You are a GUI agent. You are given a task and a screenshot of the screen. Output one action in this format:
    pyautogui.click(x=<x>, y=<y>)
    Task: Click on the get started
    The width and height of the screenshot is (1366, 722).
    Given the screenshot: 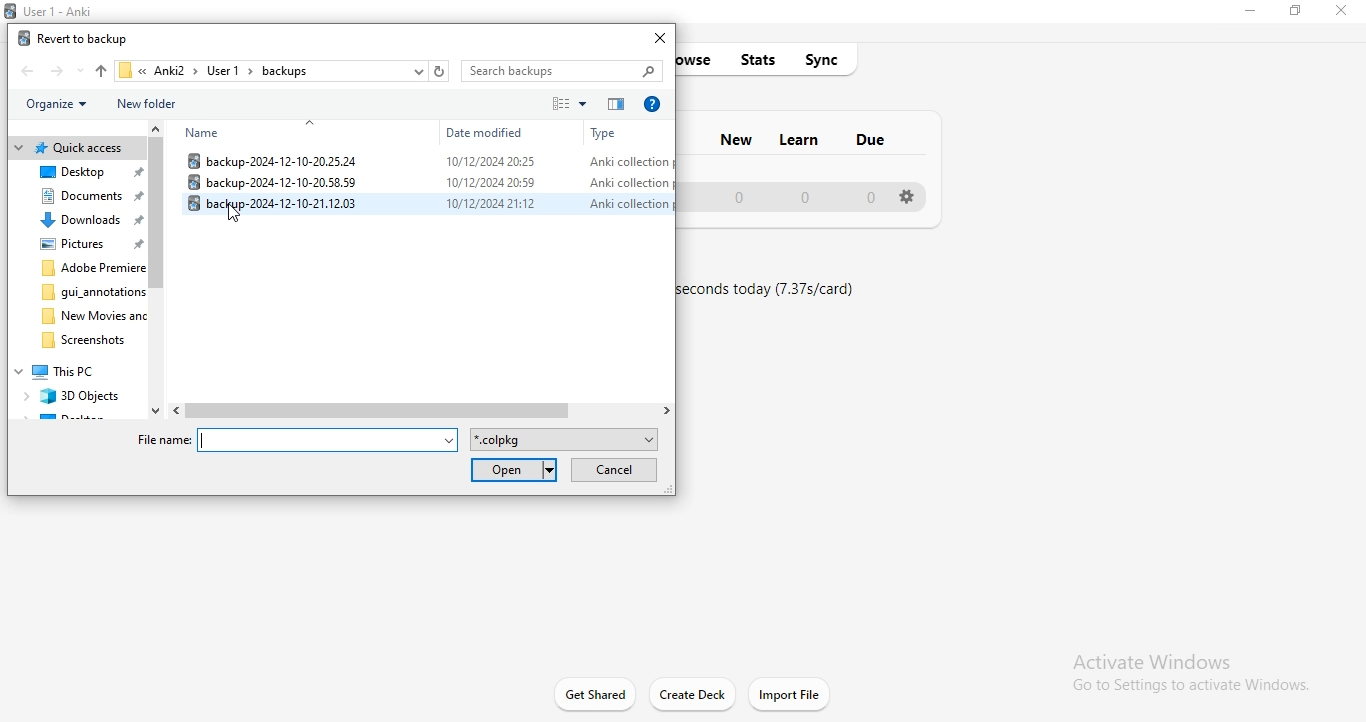 What is the action you would take?
    pyautogui.click(x=594, y=692)
    